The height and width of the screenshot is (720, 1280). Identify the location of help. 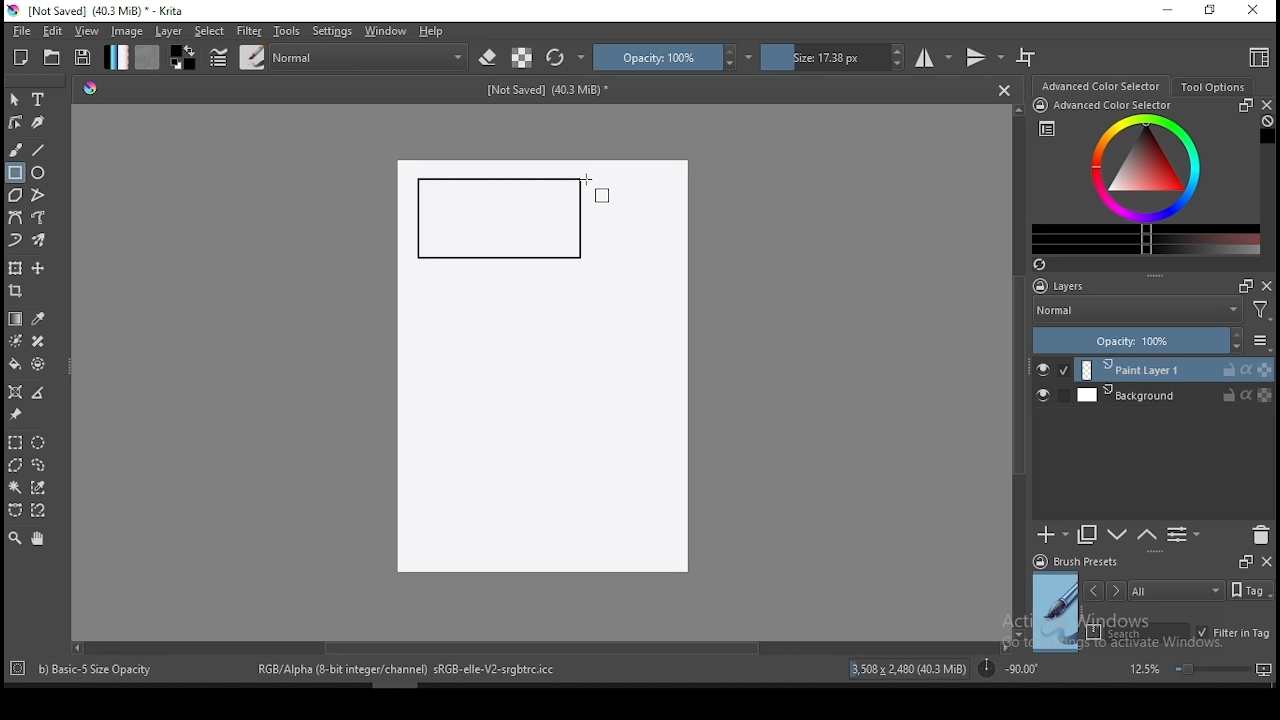
(435, 32).